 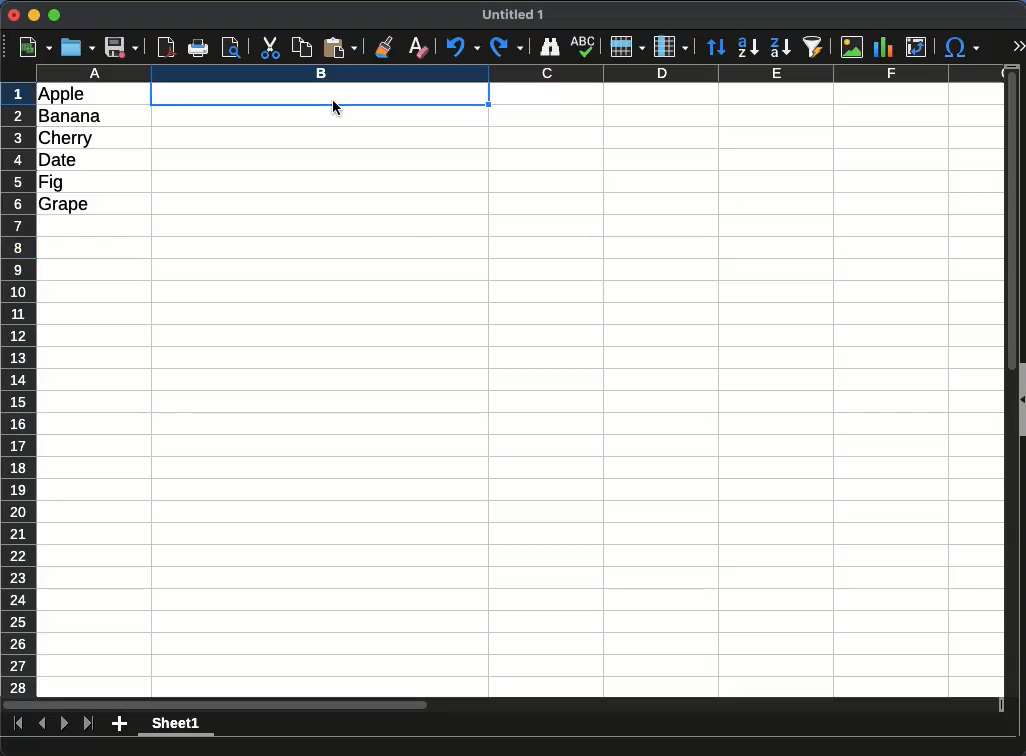 I want to click on next sheet, so click(x=65, y=724).